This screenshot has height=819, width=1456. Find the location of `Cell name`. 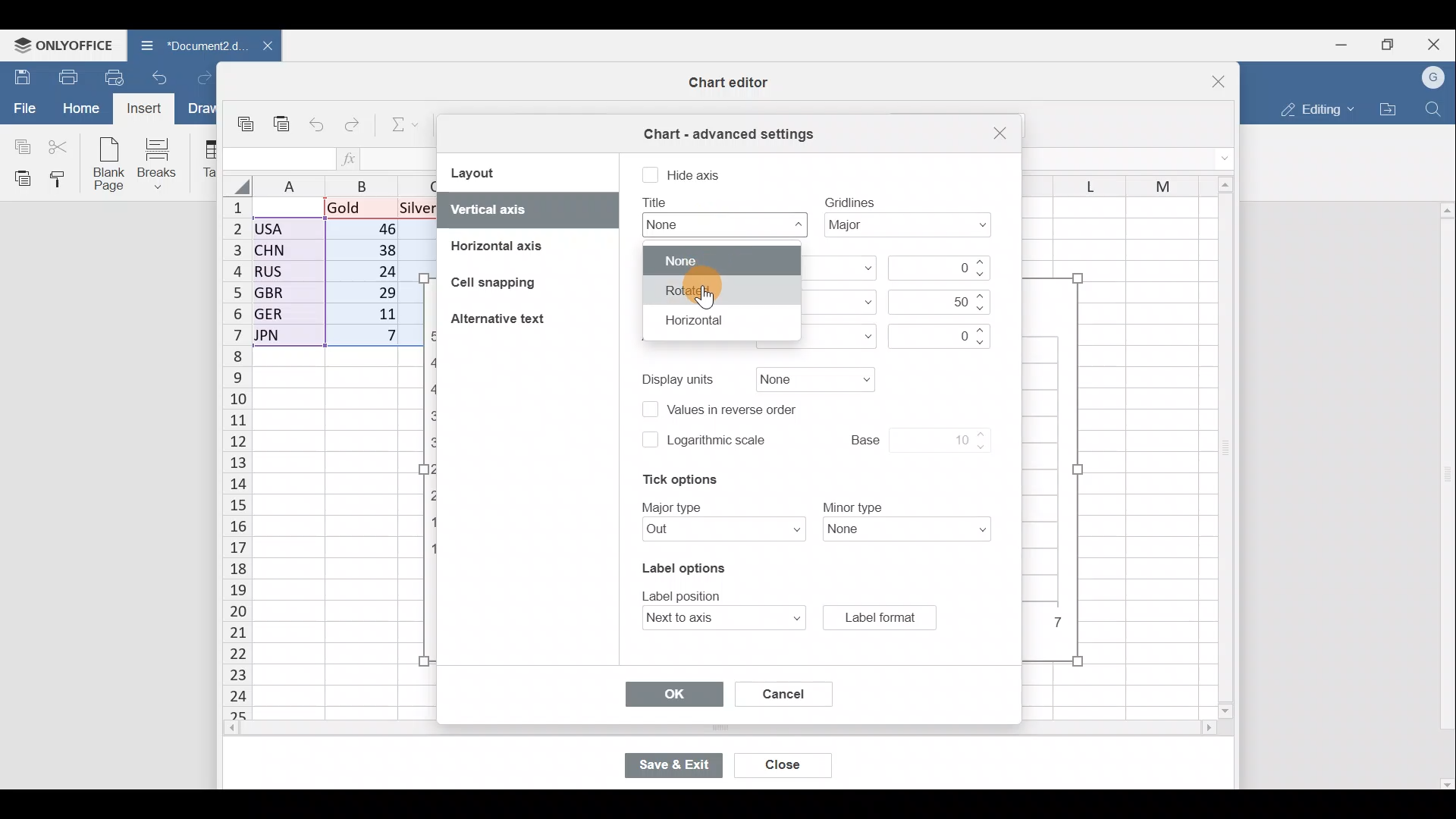

Cell name is located at coordinates (277, 155).